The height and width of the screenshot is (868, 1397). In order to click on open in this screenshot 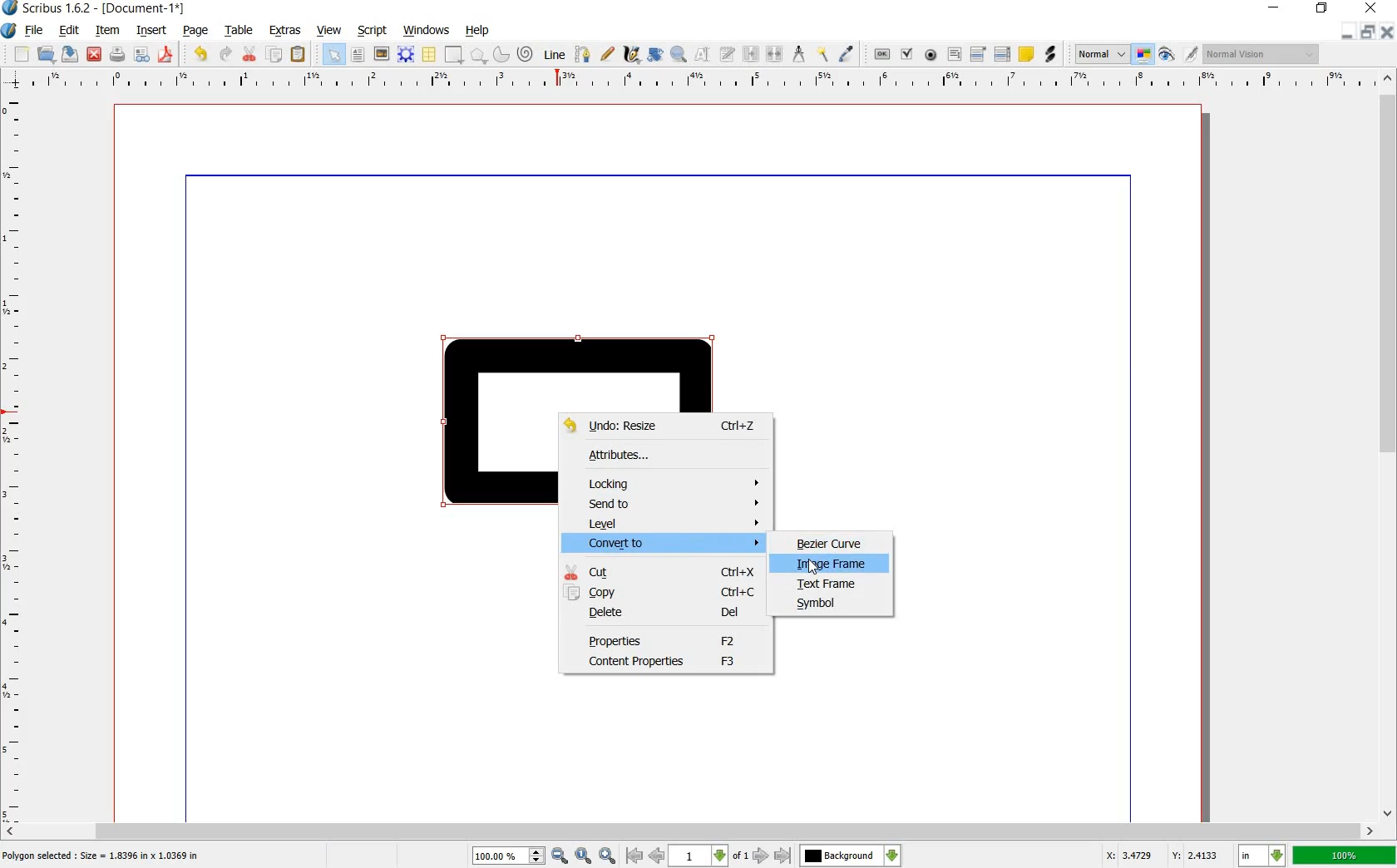, I will do `click(46, 55)`.